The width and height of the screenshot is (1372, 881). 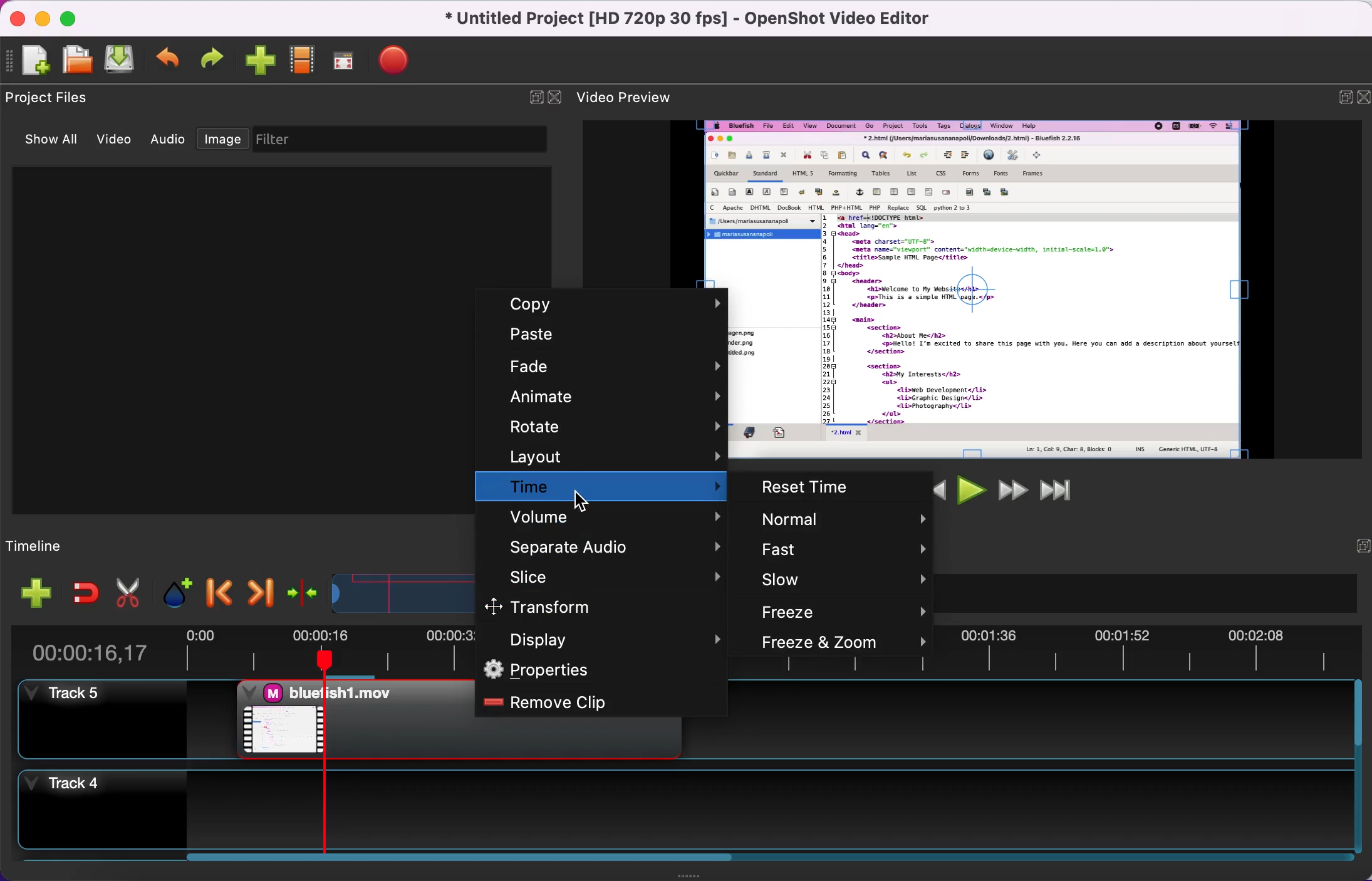 I want to click on jump to end, so click(x=1056, y=489).